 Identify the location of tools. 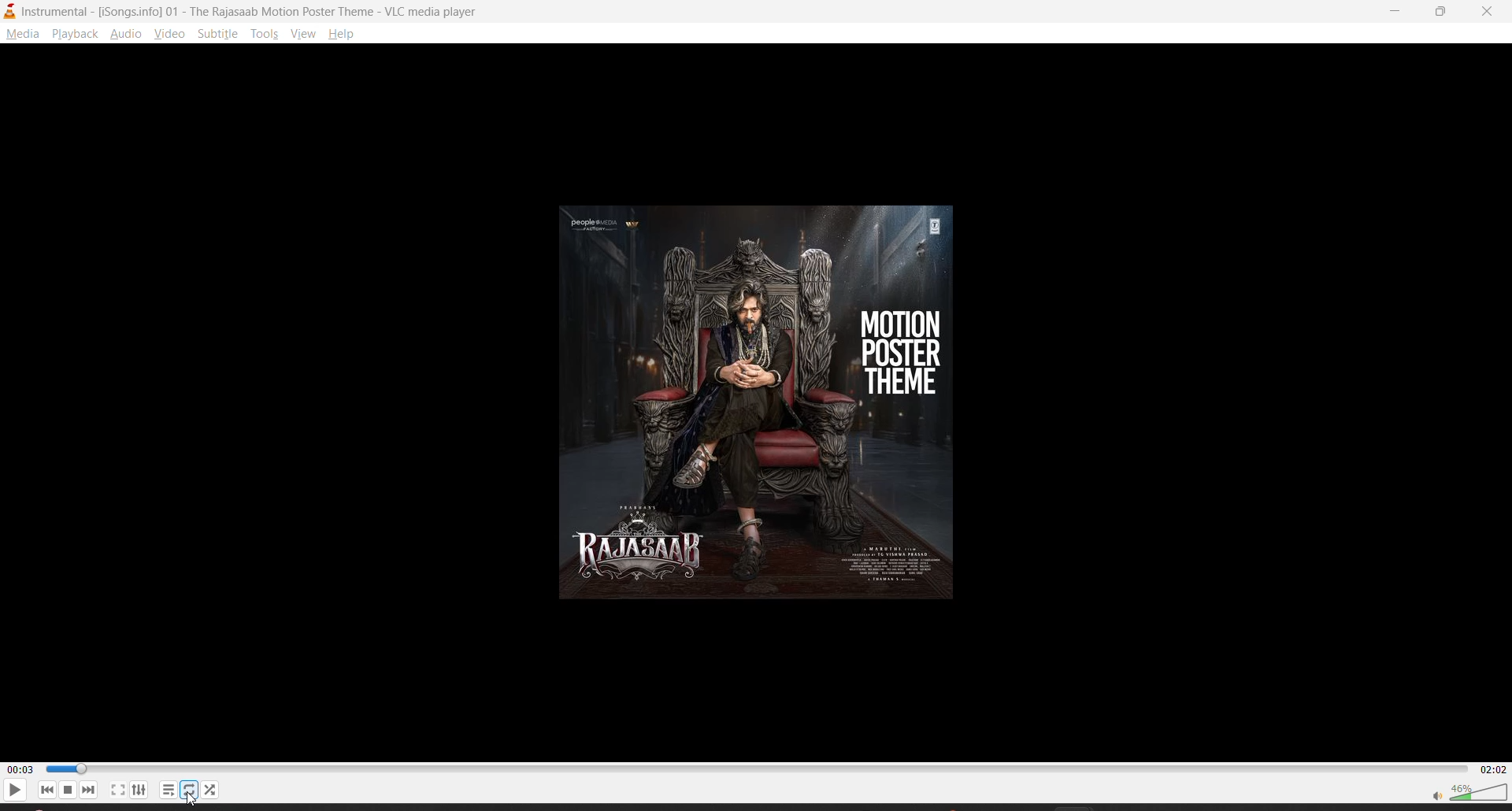
(265, 32).